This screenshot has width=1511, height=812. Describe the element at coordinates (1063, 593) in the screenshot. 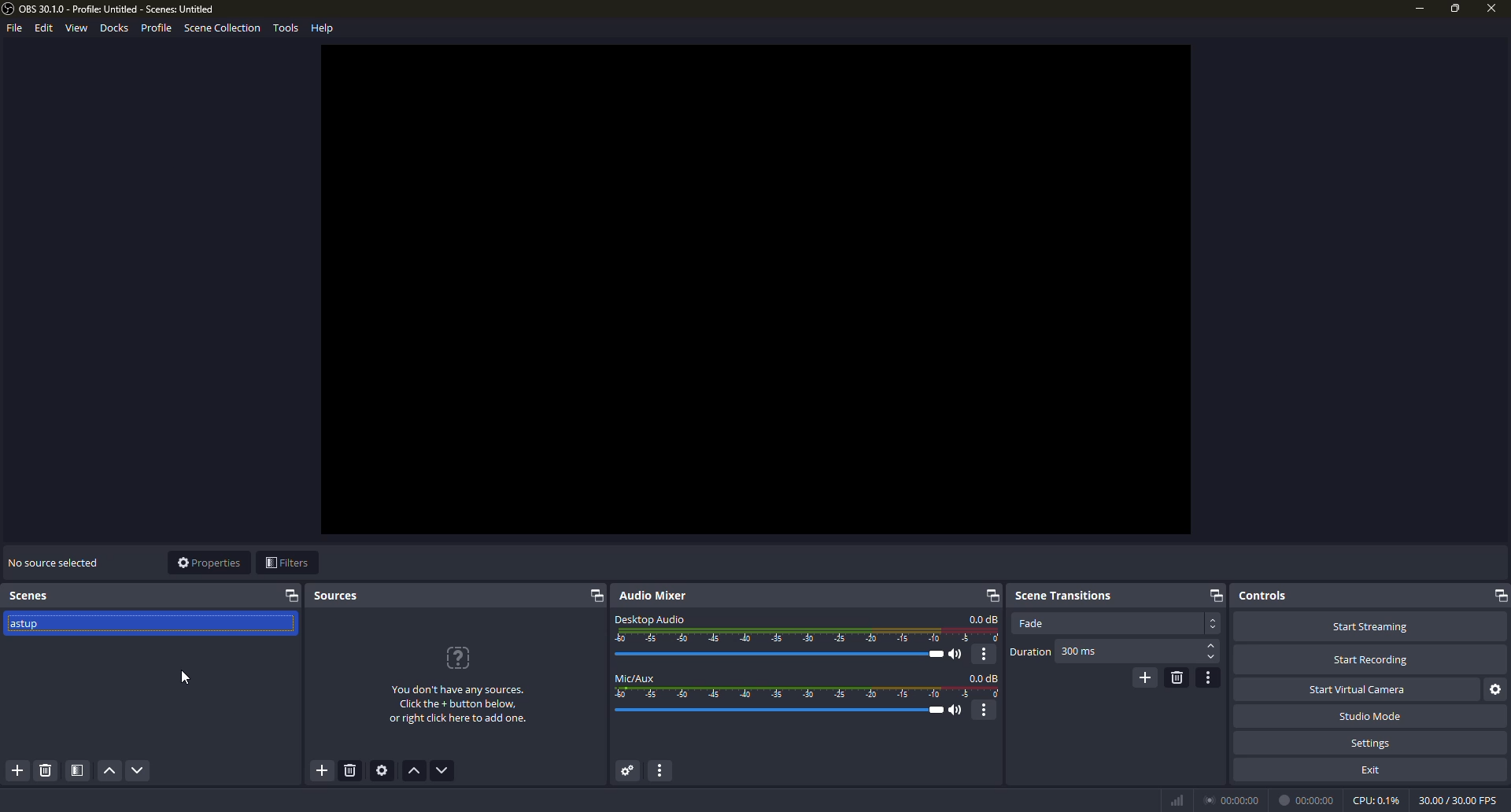

I see `scene transitions` at that location.